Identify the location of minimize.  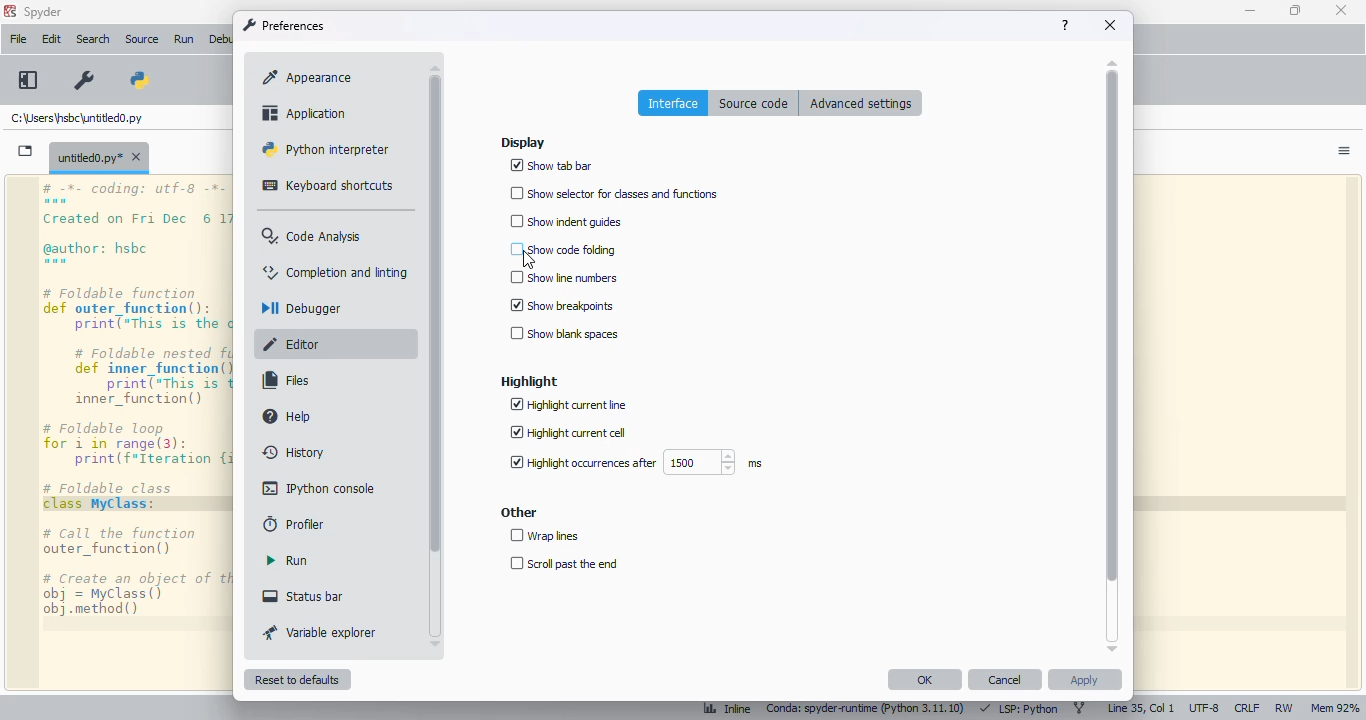
(1250, 11).